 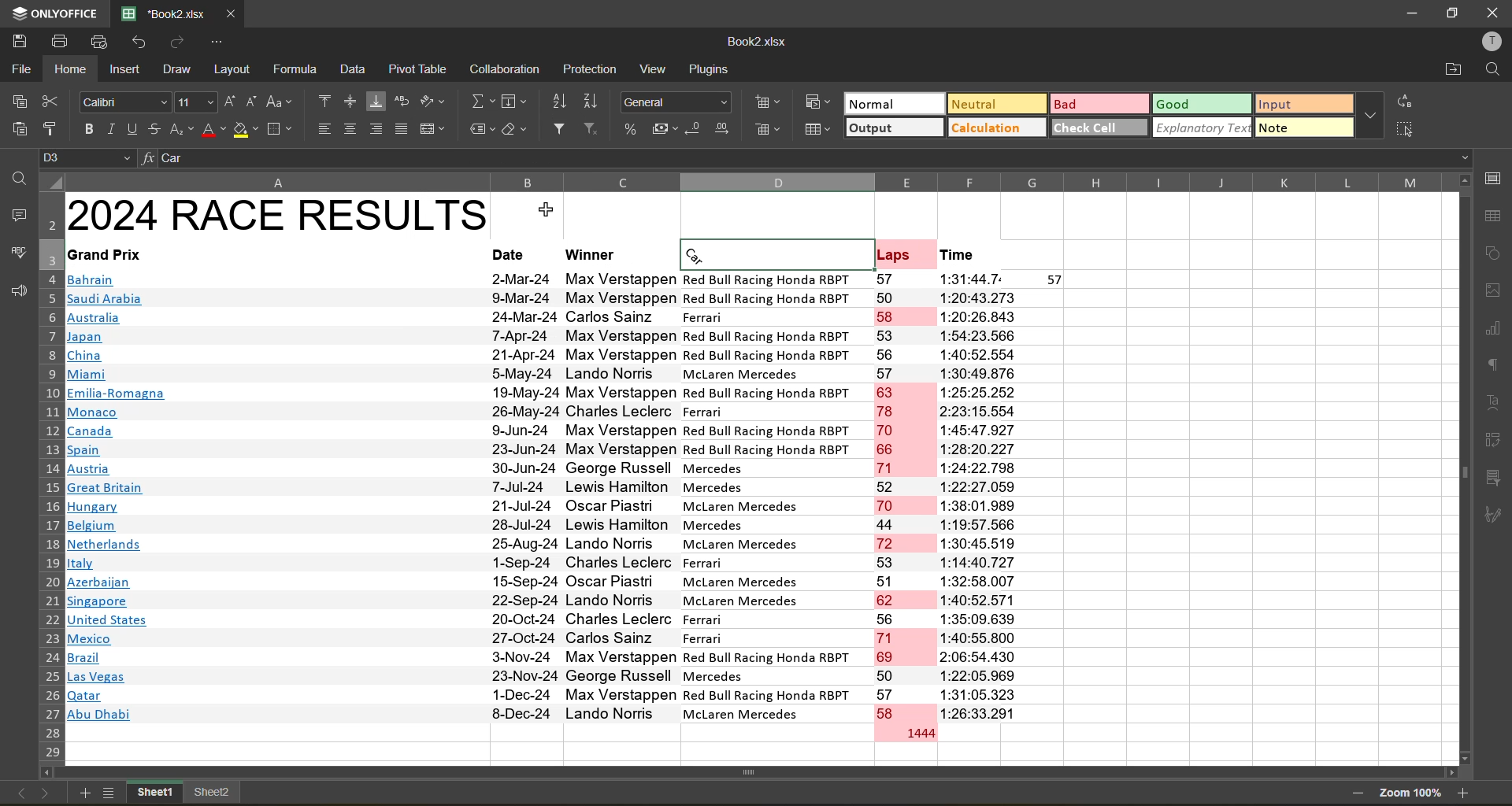 What do you see at coordinates (254, 102) in the screenshot?
I see `decrement size` at bounding box center [254, 102].